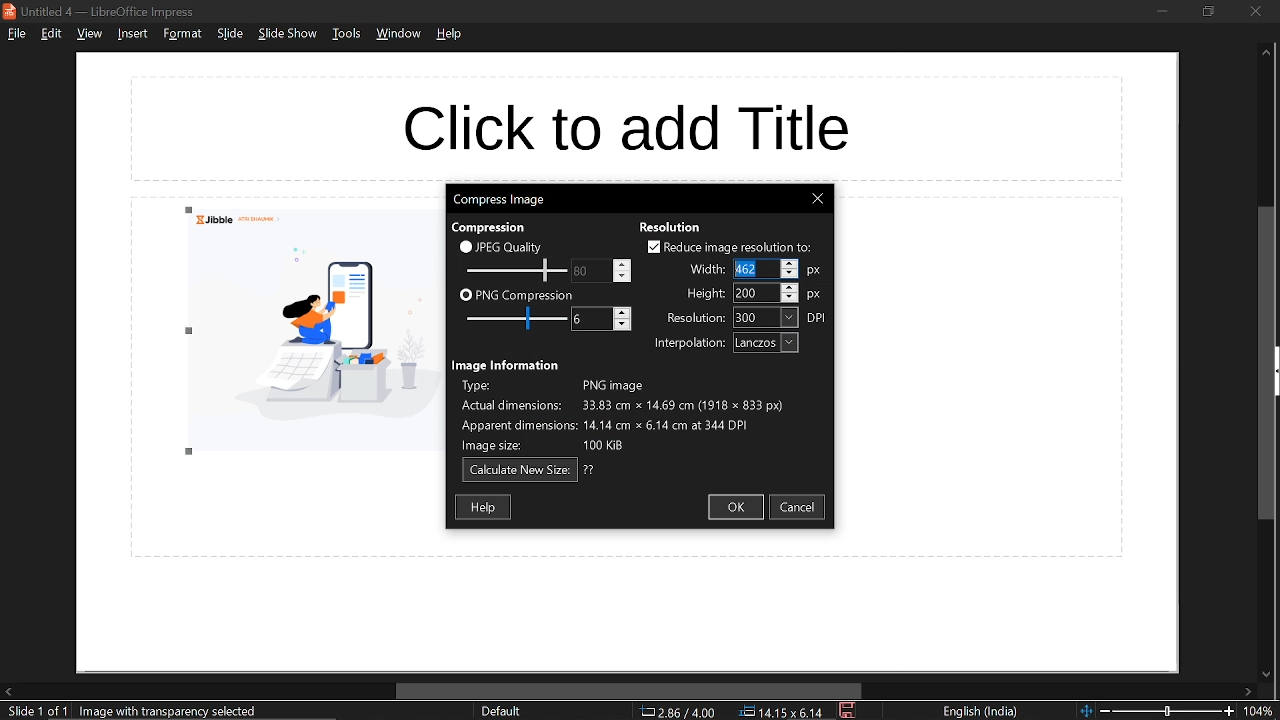 The height and width of the screenshot is (720, 1280). I want to click on current window, so click(498, 198).